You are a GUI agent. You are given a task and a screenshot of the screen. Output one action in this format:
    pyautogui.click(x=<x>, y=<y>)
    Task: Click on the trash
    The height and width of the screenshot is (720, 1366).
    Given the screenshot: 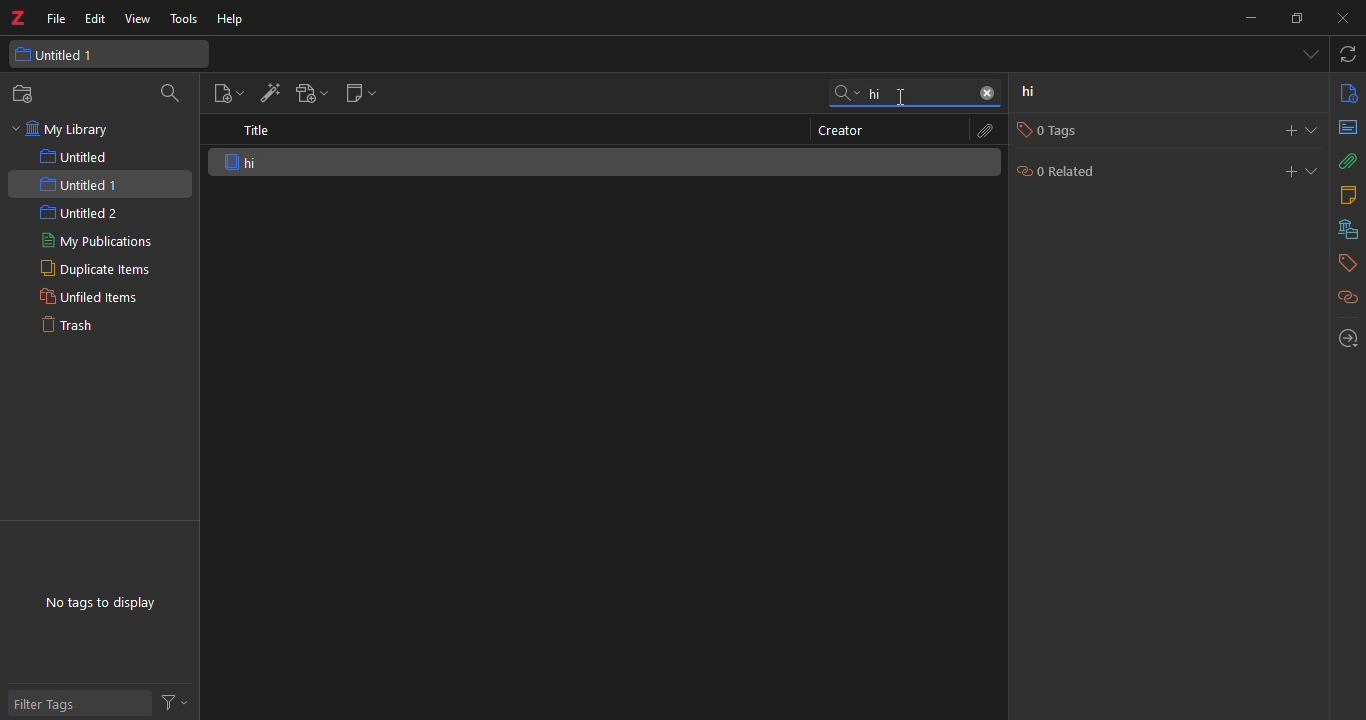 What is the action you would take?
    pyautogui.click(x=66, y=324)
    